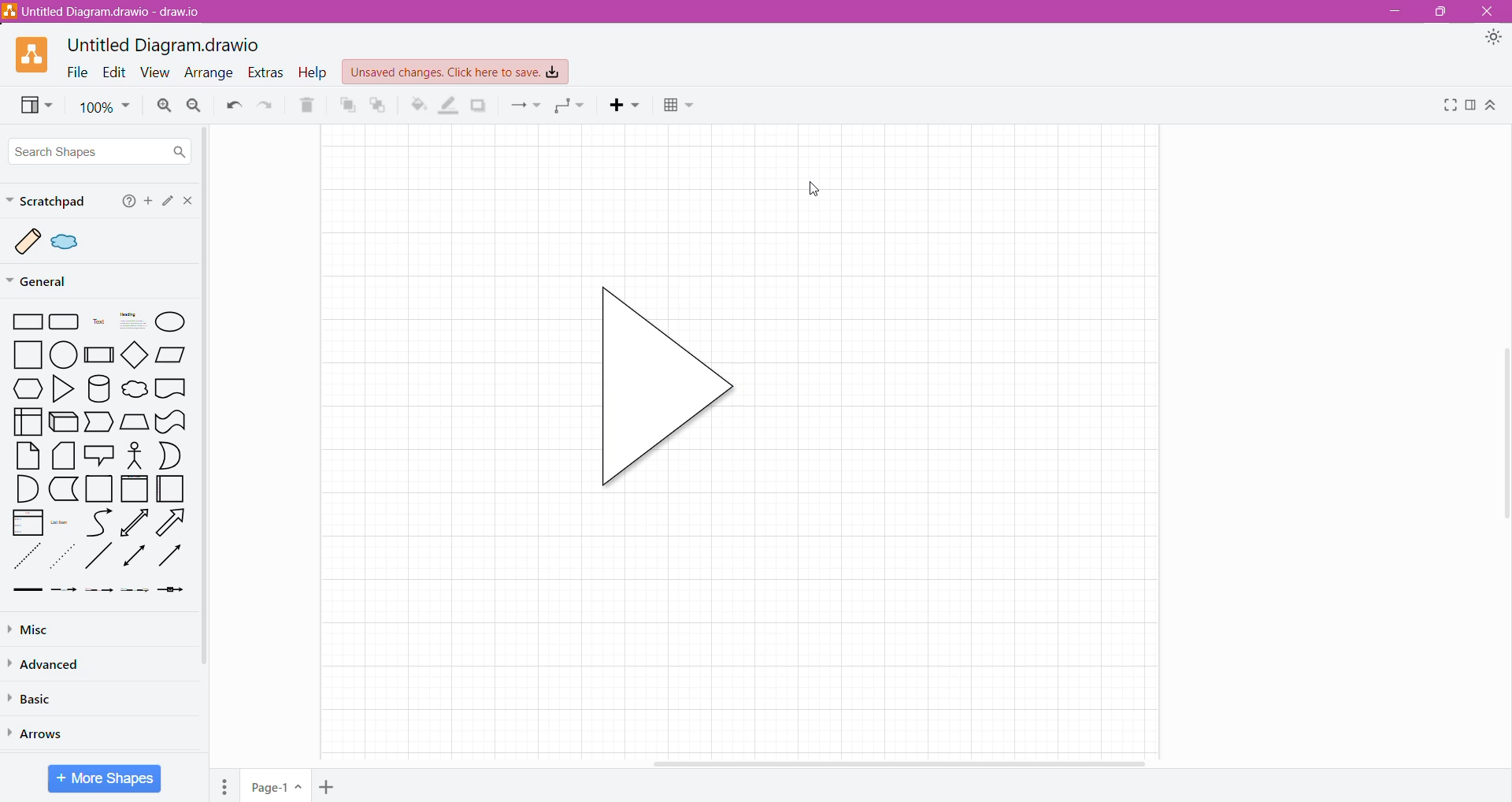 The height and width of the screenshot is (802, 1512). I want to click on Untitled Diagram.draw.io - draw.io, so click(106, 11).